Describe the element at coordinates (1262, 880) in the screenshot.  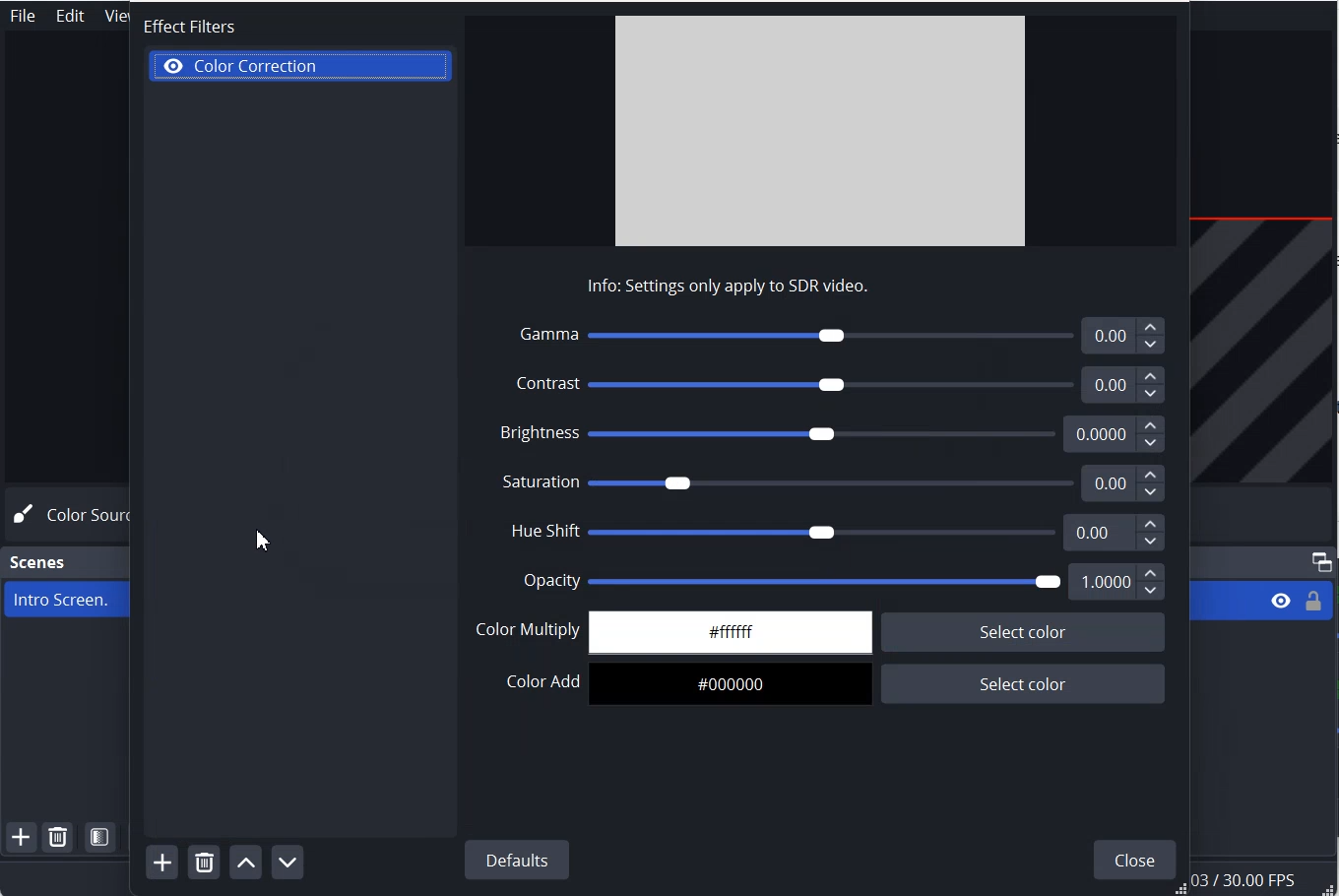
I see `Information Display` at that location.